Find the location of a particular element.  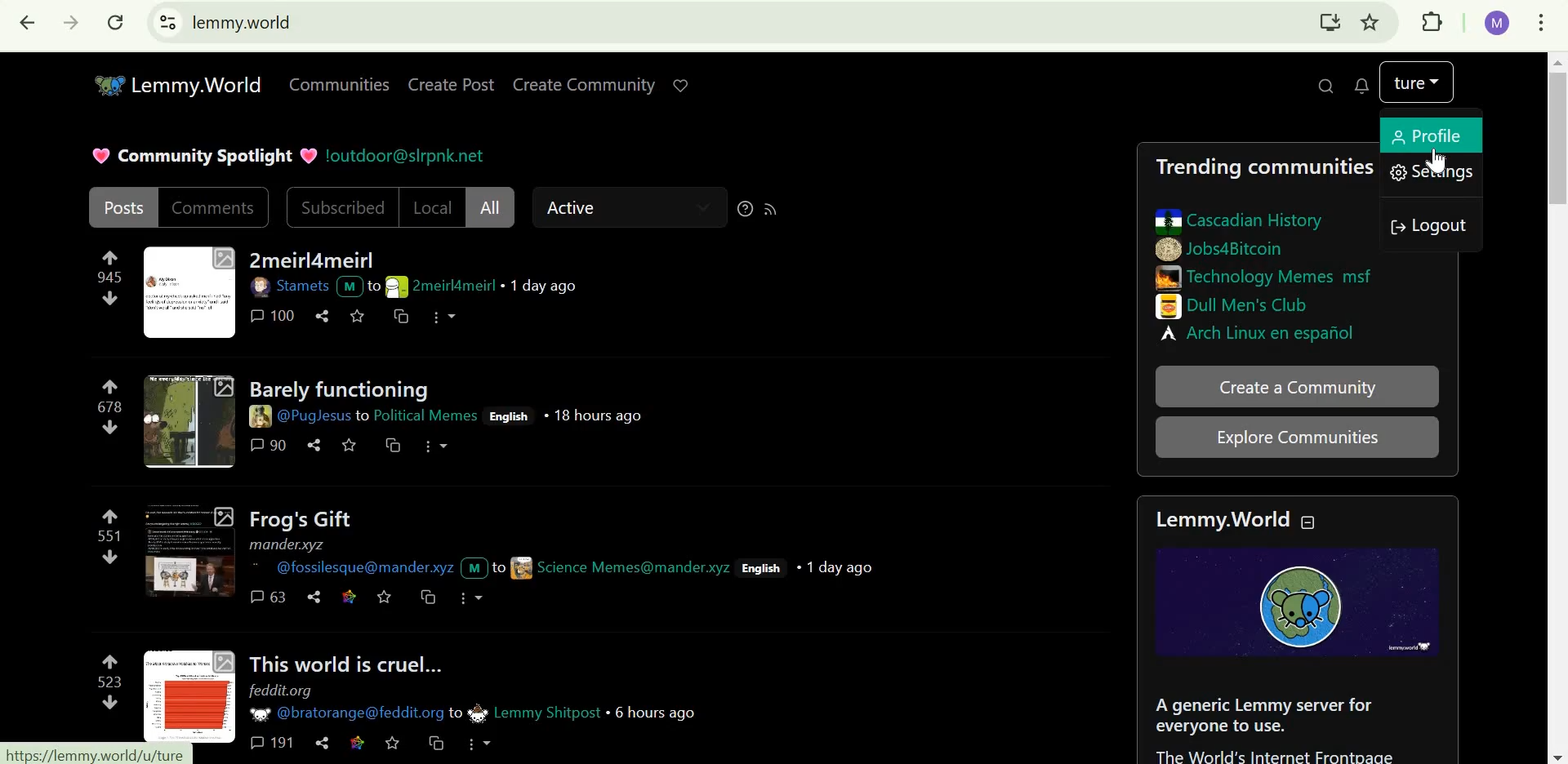

click to go back, hold to see history is located at coordinates (28, 24).